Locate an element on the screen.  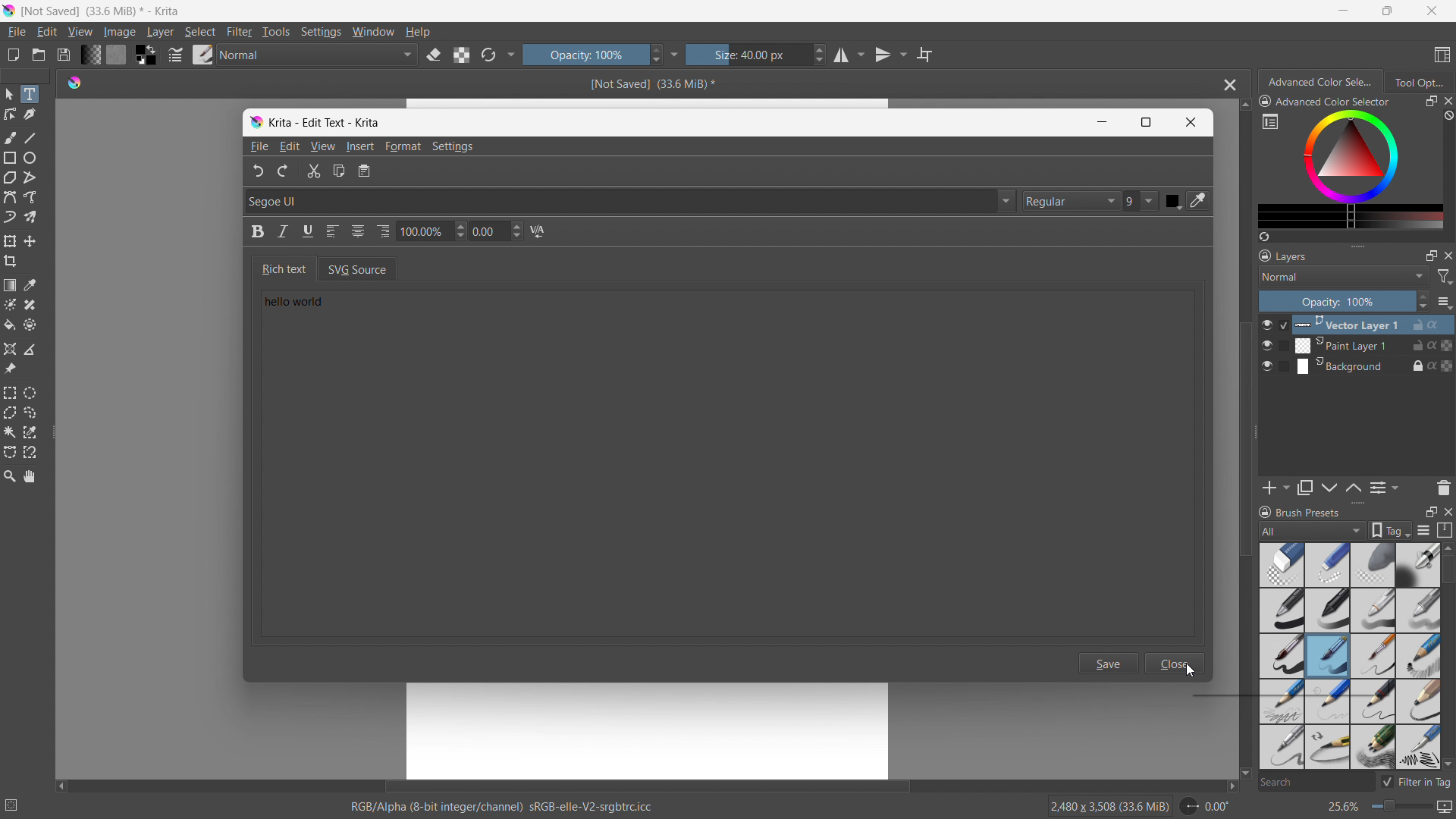
fill pattern is located at coordinates (117, 54).